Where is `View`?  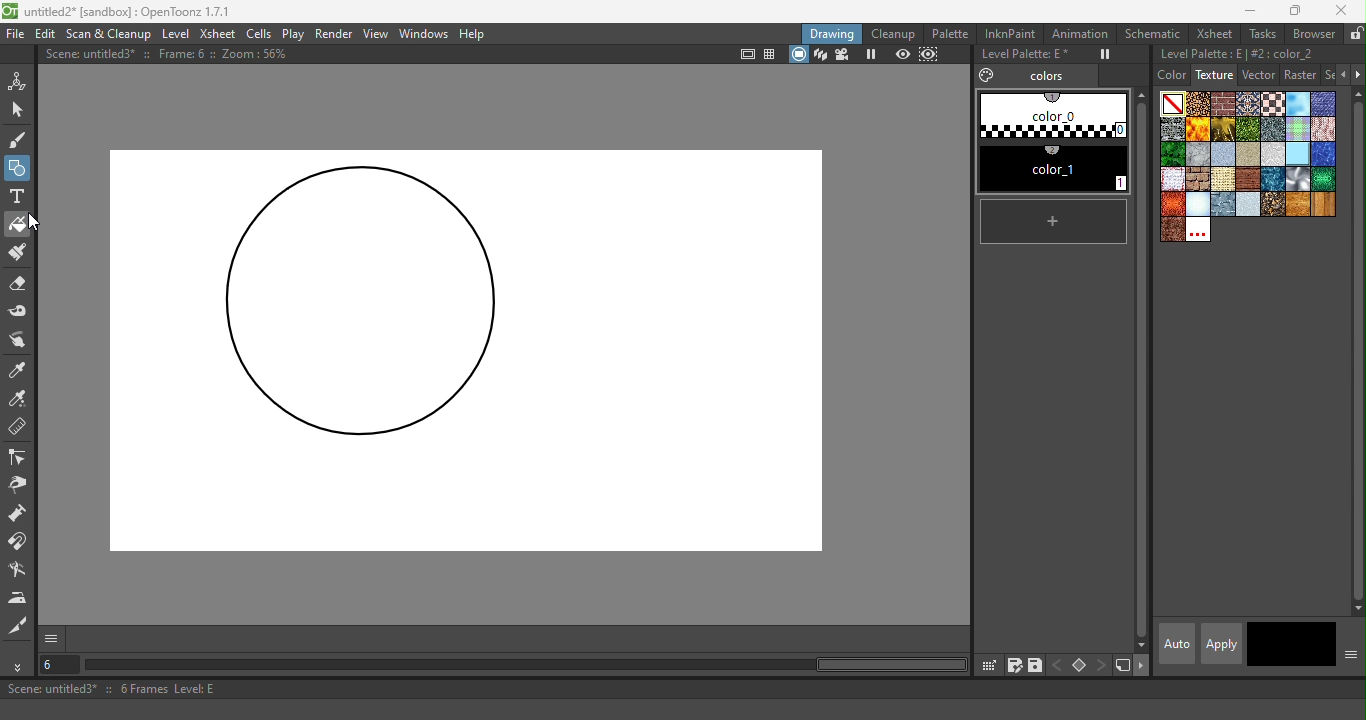 View is located at coordinates (376, 33).